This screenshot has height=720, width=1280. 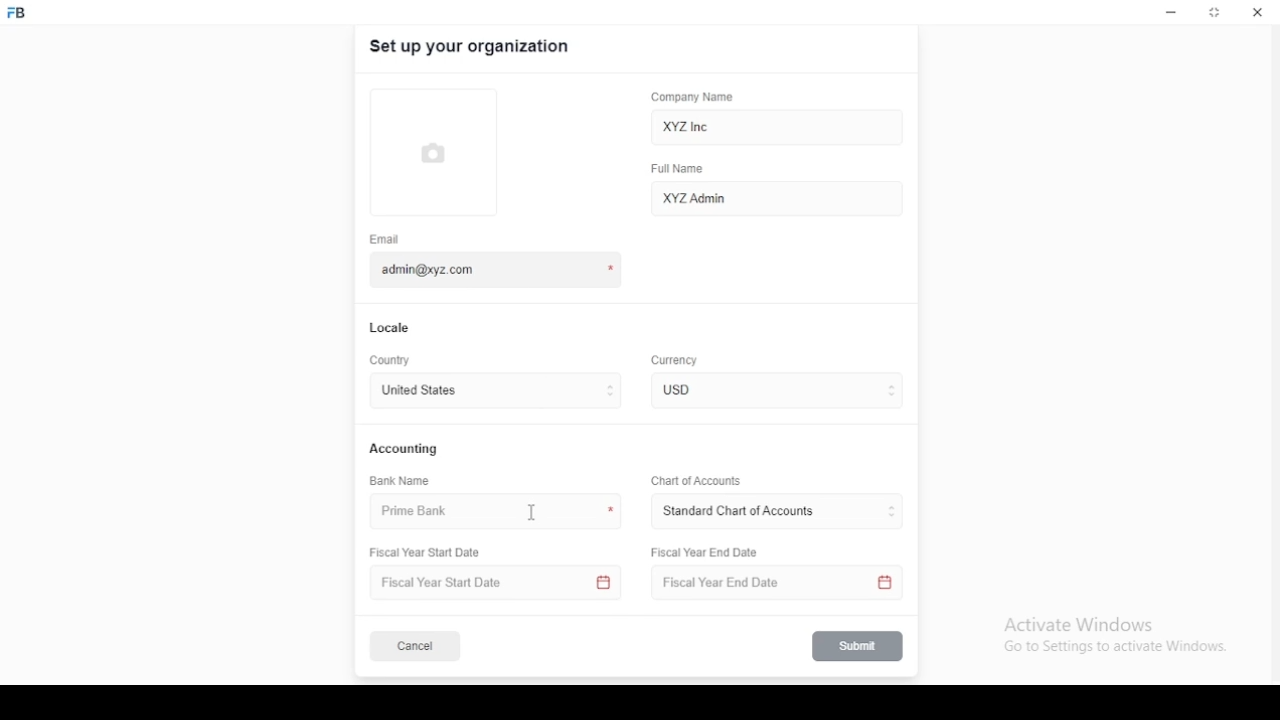 I want to click on Currency, so click(x=675, y=361).